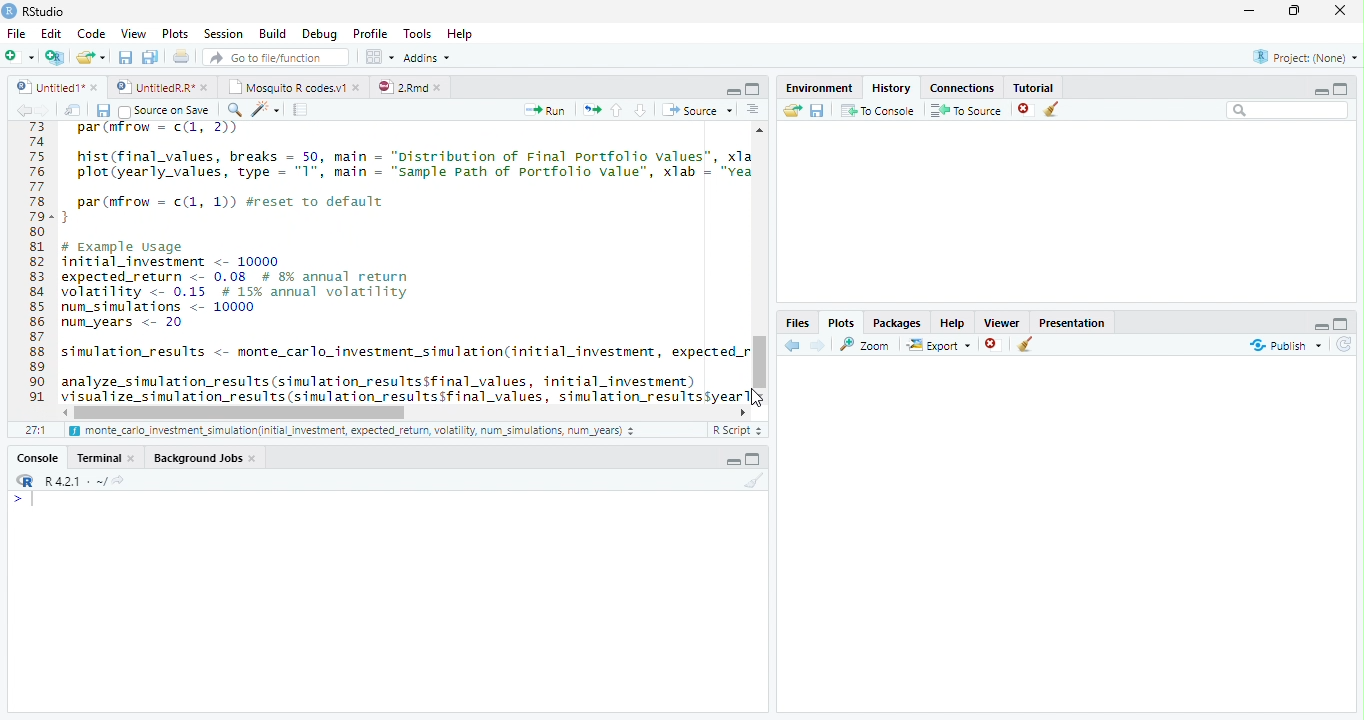  Describe the element at coordinates (23, 110) in the screenshot. I see `previous source location` at that location.